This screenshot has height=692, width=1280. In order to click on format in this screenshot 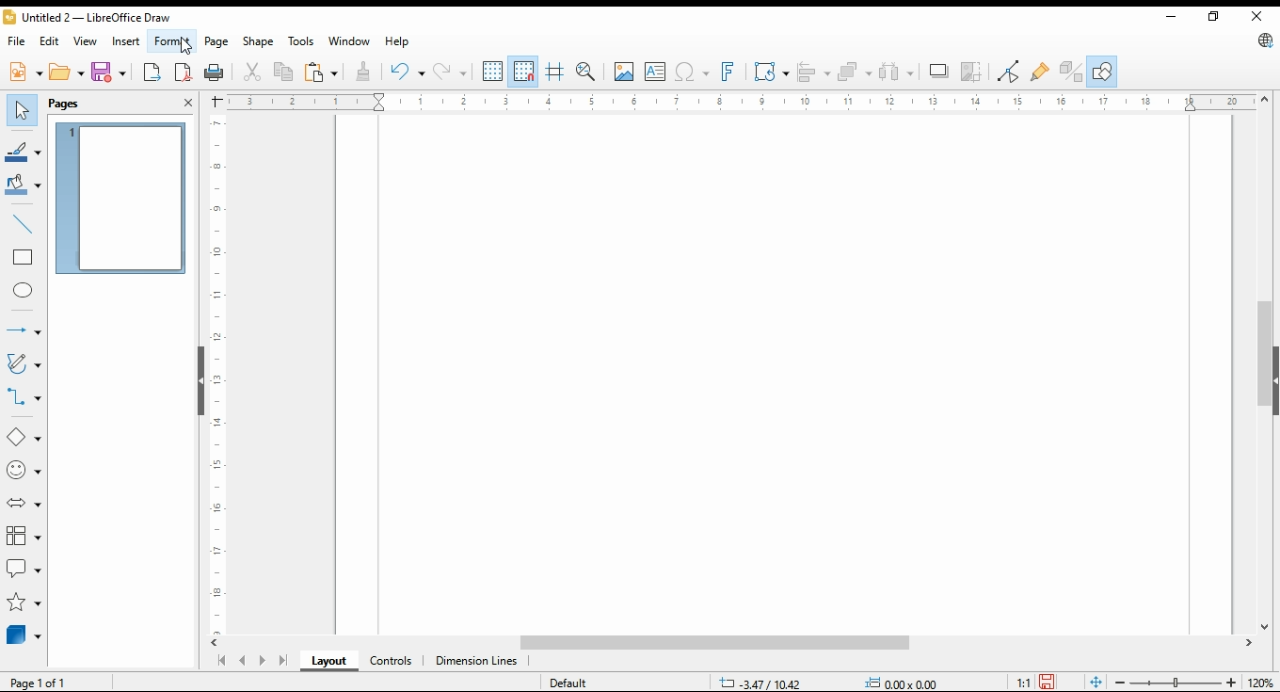, I will do `click(174, 43)`.